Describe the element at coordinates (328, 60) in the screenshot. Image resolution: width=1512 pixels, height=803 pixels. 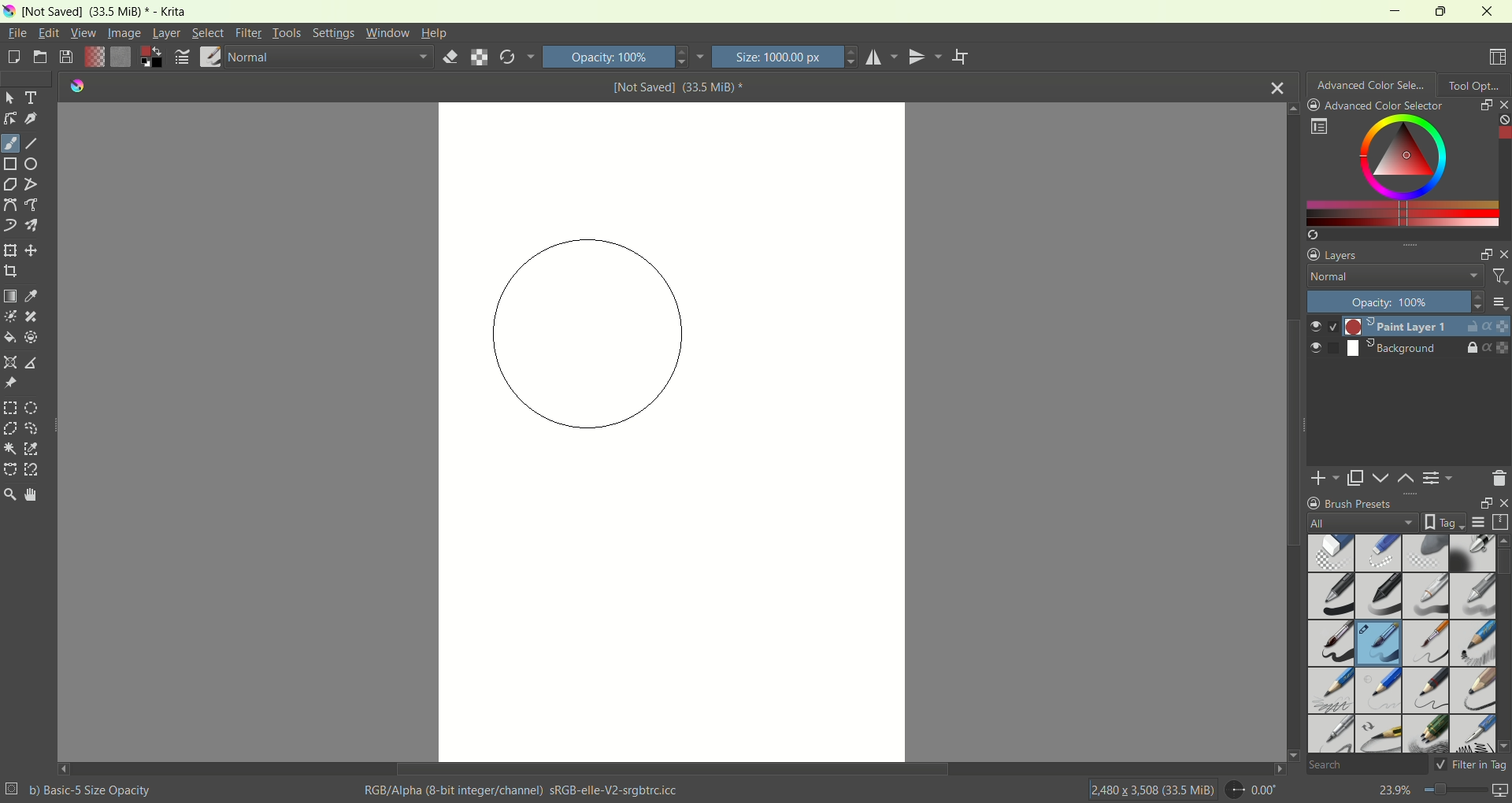
I see `normal` at that location.